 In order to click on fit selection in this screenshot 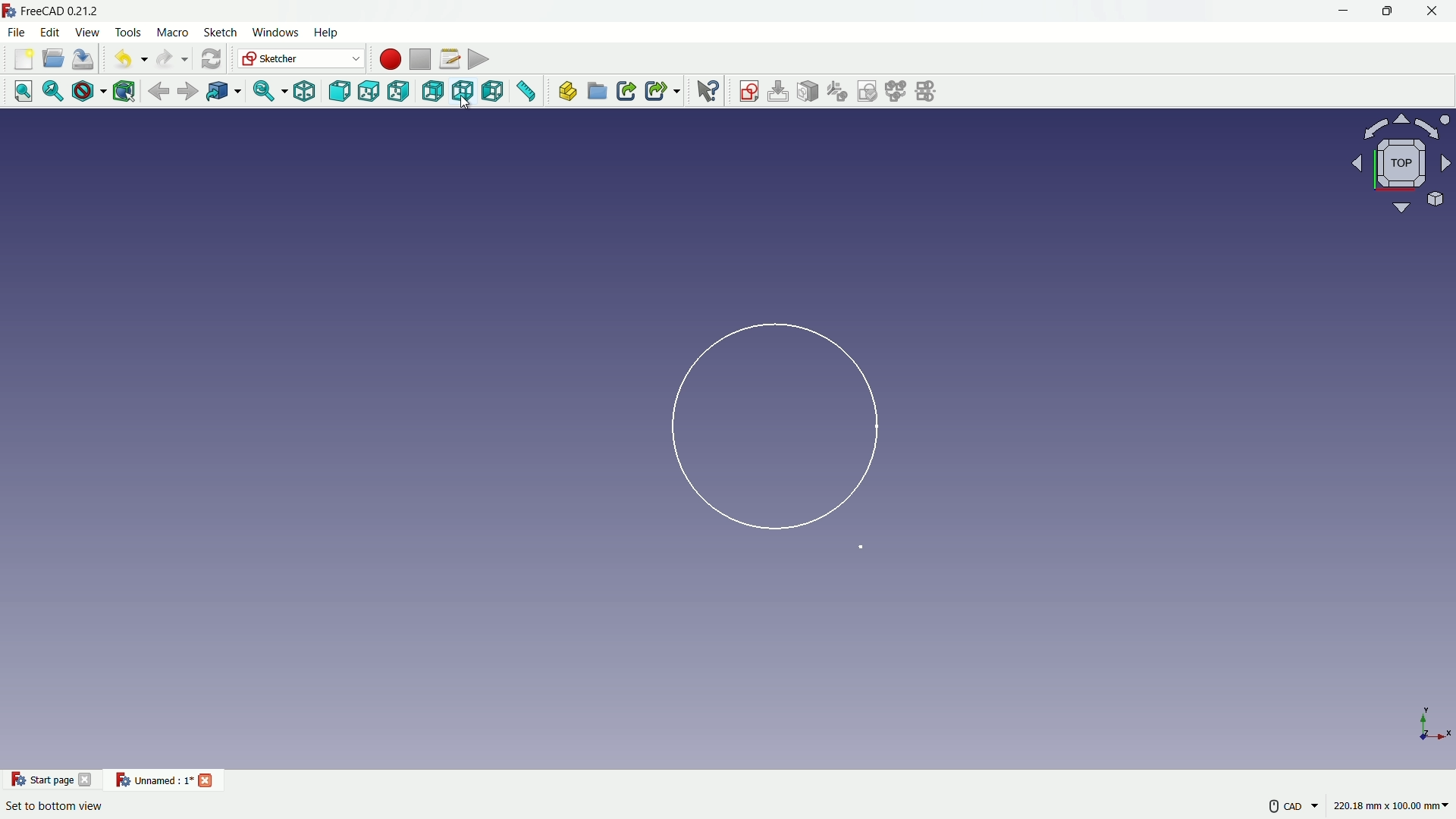, I will do `click(53, 92)`.